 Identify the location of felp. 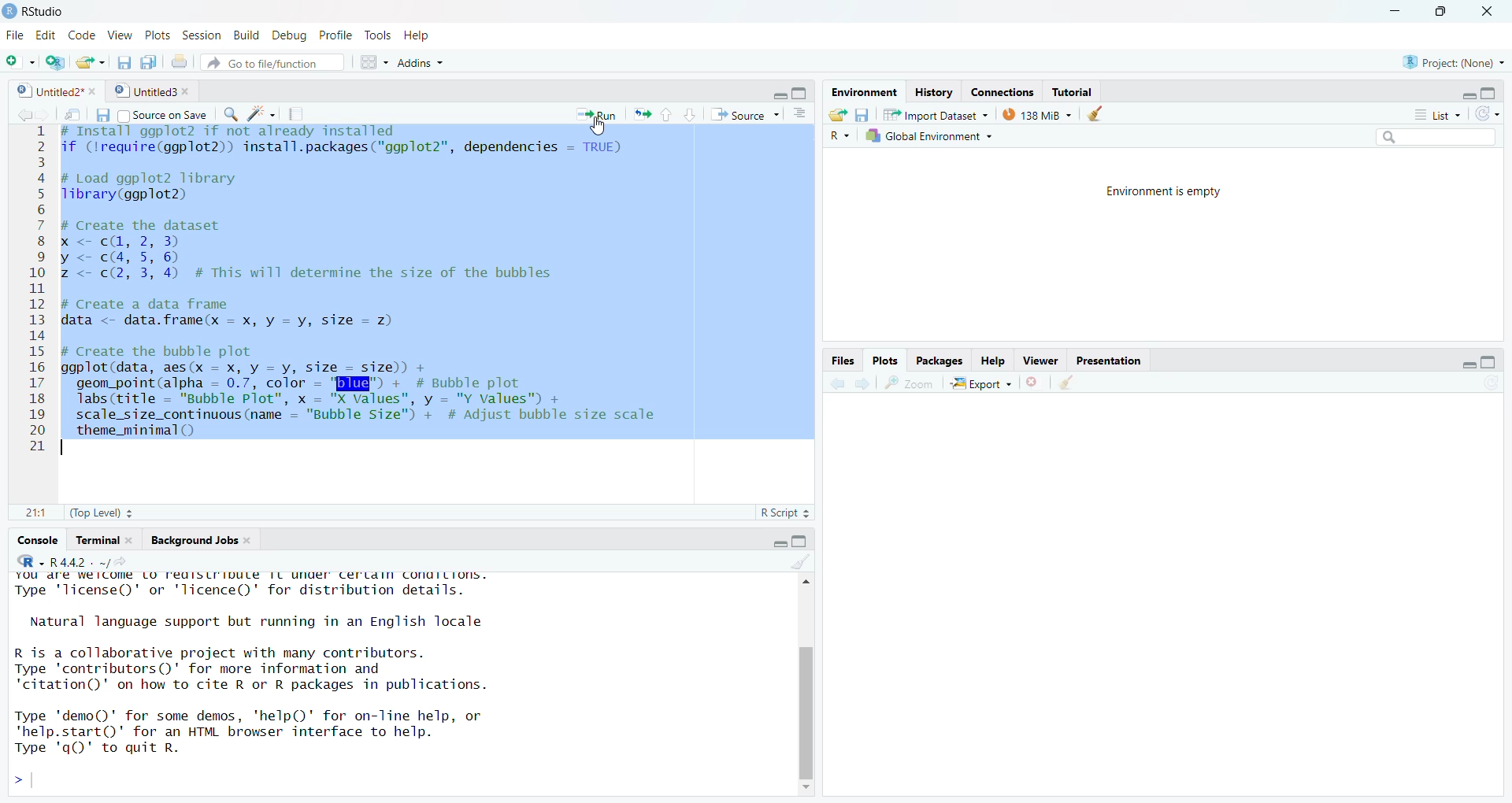
(994, 360).